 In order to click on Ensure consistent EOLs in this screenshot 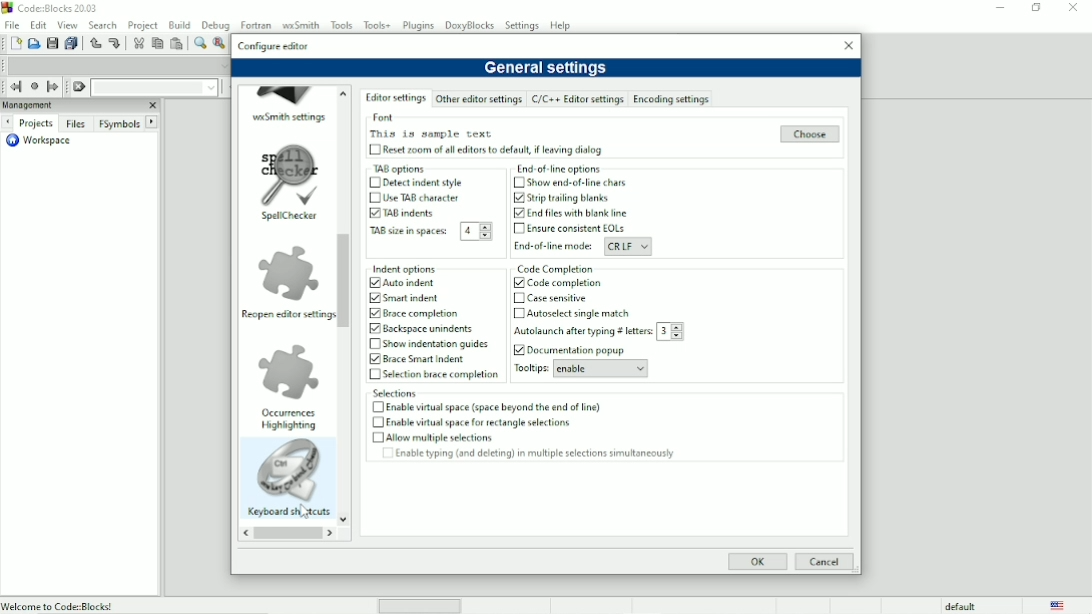, I will do `click(580, 228)`.